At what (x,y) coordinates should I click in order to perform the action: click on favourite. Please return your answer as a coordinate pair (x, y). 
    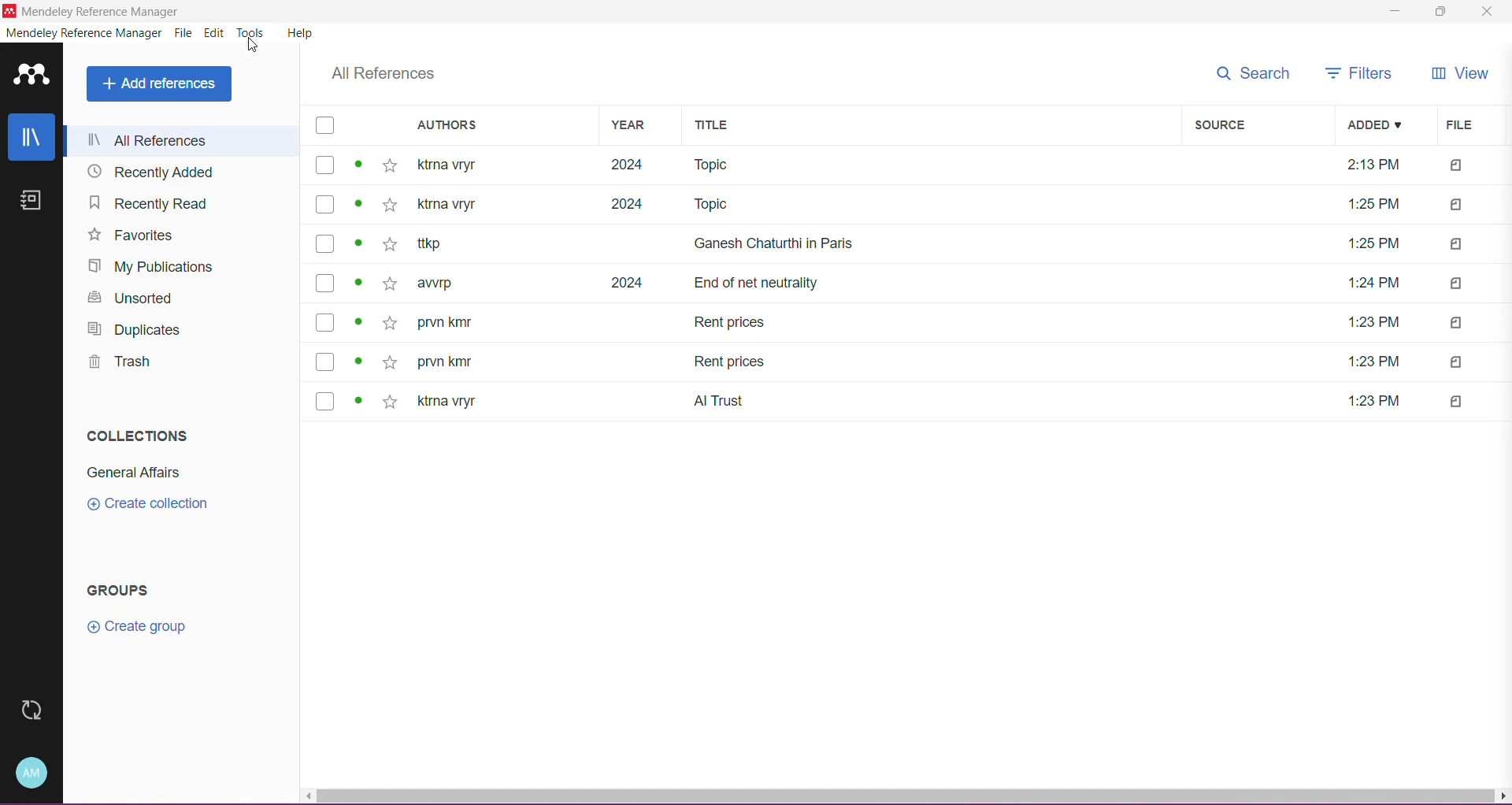
    Looking at the image, I should click on (391, 402).